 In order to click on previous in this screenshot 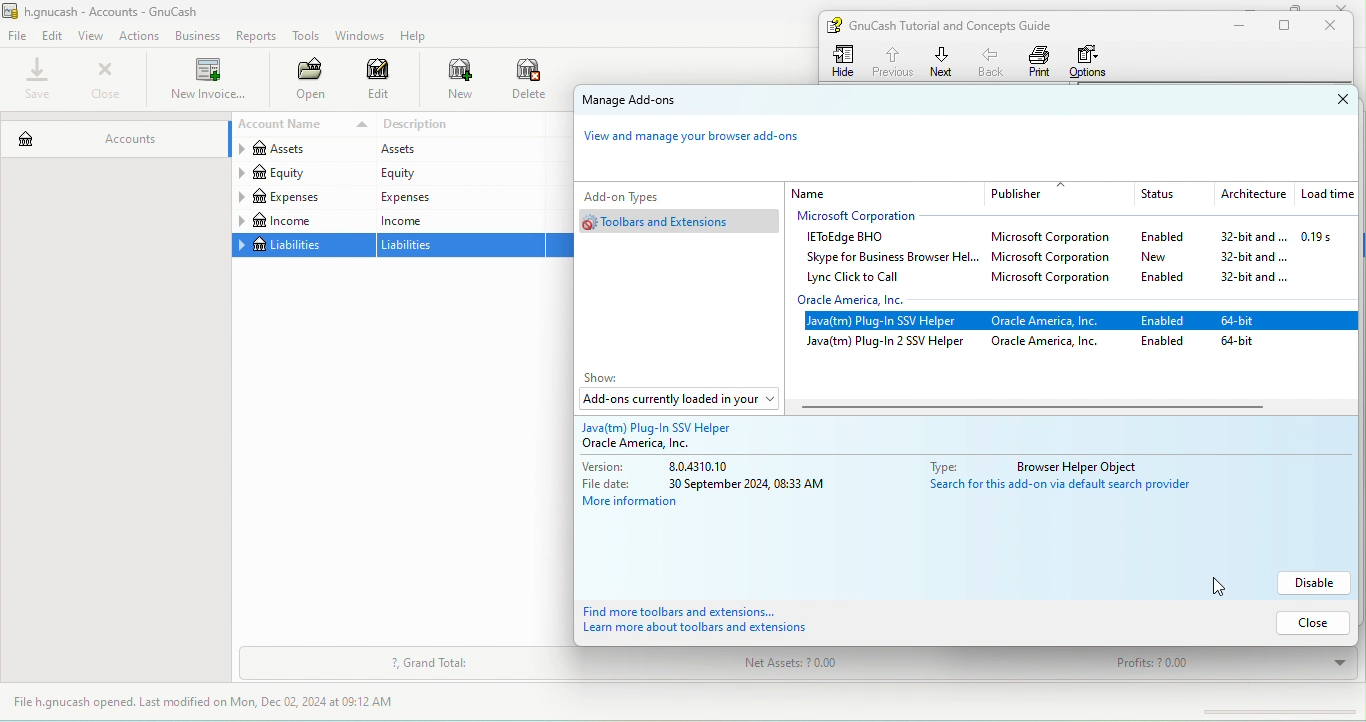, I will do `click(891, 59)`.